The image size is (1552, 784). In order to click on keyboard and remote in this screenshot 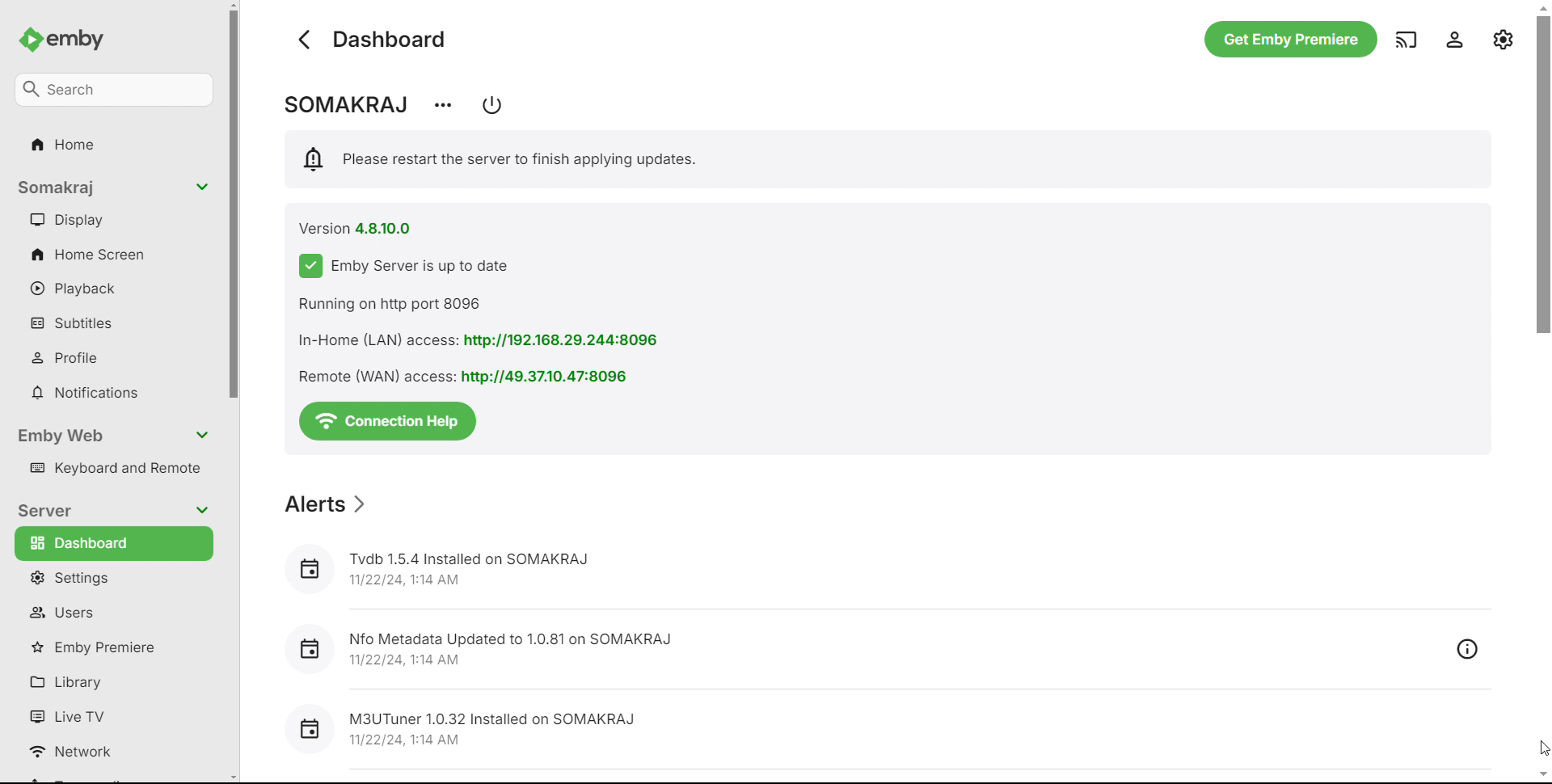, I will do `click(115, 467)`.